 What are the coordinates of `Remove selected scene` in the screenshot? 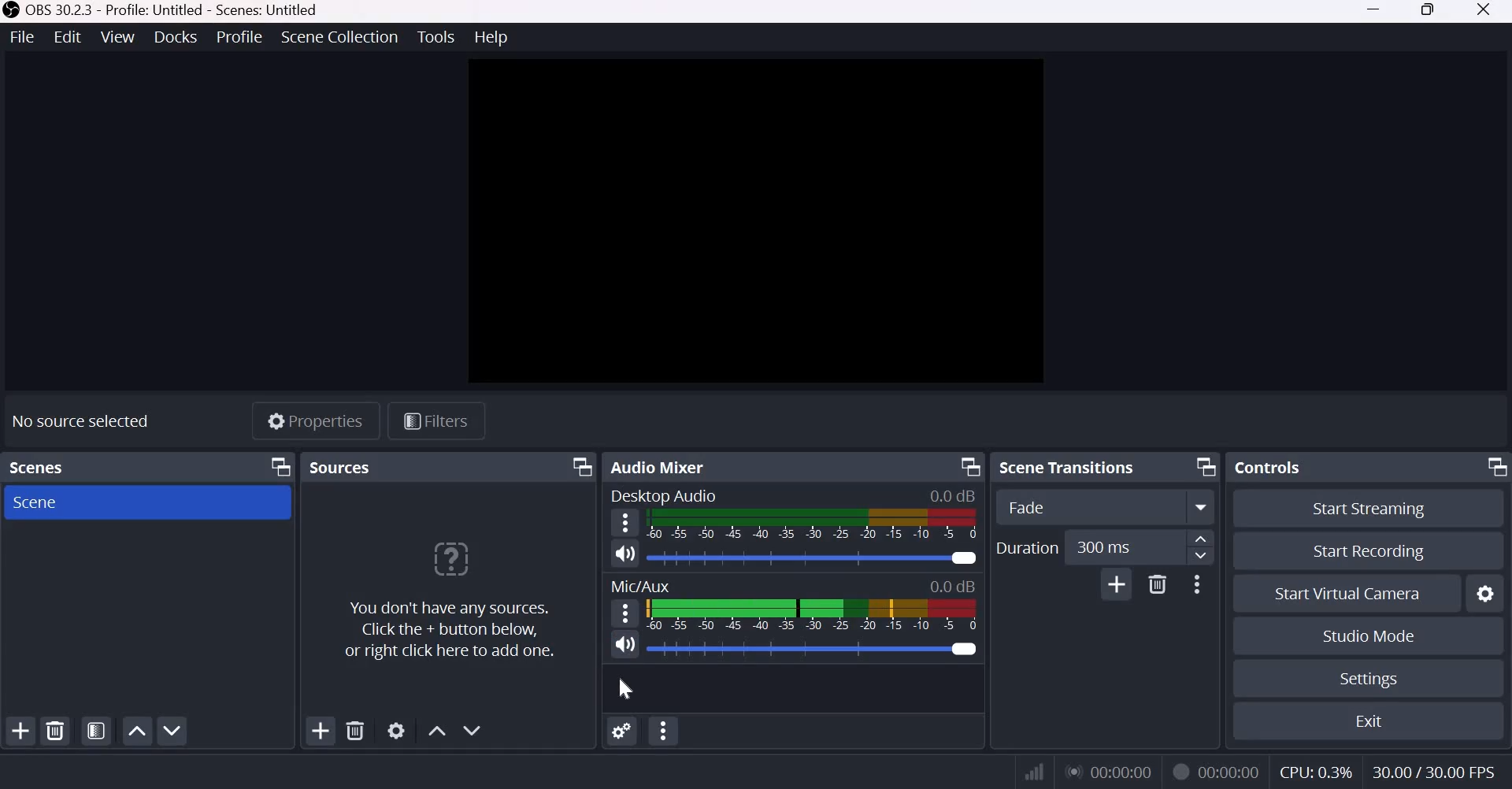 It's located at (54, 729).